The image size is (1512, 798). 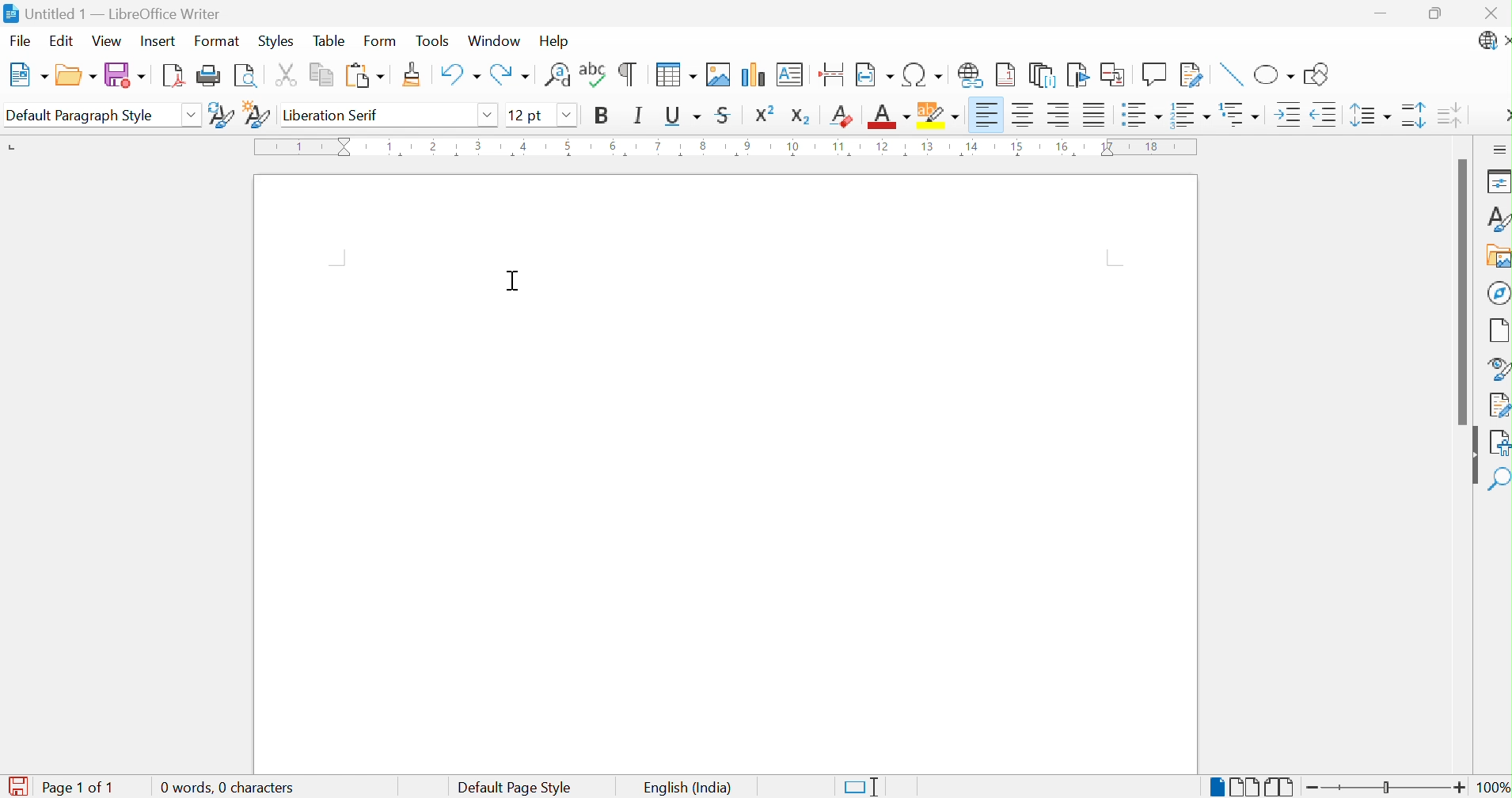 What do you see at coordinates (116, 13) in the screenshot?
I see `Untitled 1 - LibreOffice Writer ` at bounding box center [116, 13].